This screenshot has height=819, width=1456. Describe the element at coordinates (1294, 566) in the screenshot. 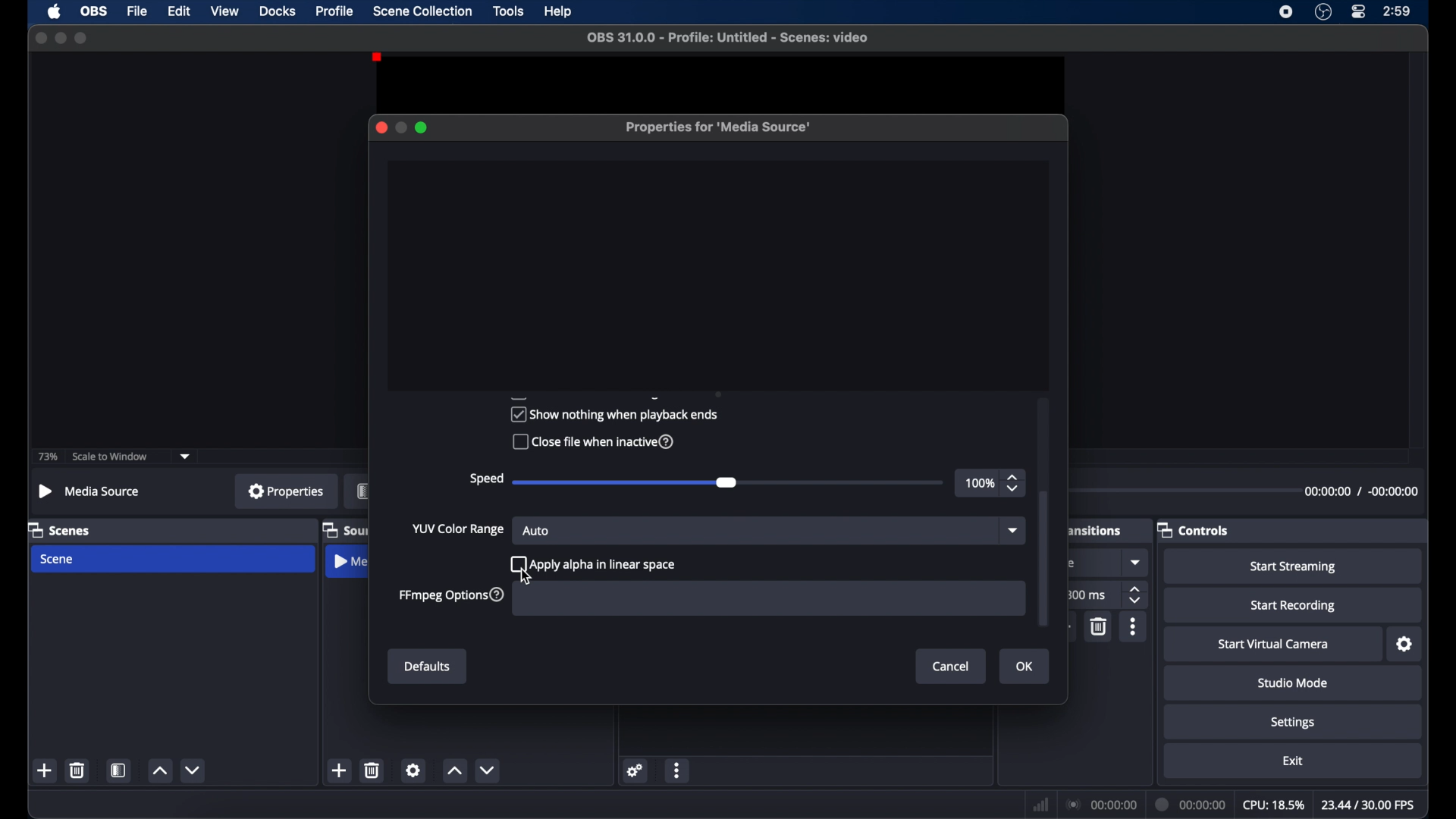

I see `start streaming` at that location.